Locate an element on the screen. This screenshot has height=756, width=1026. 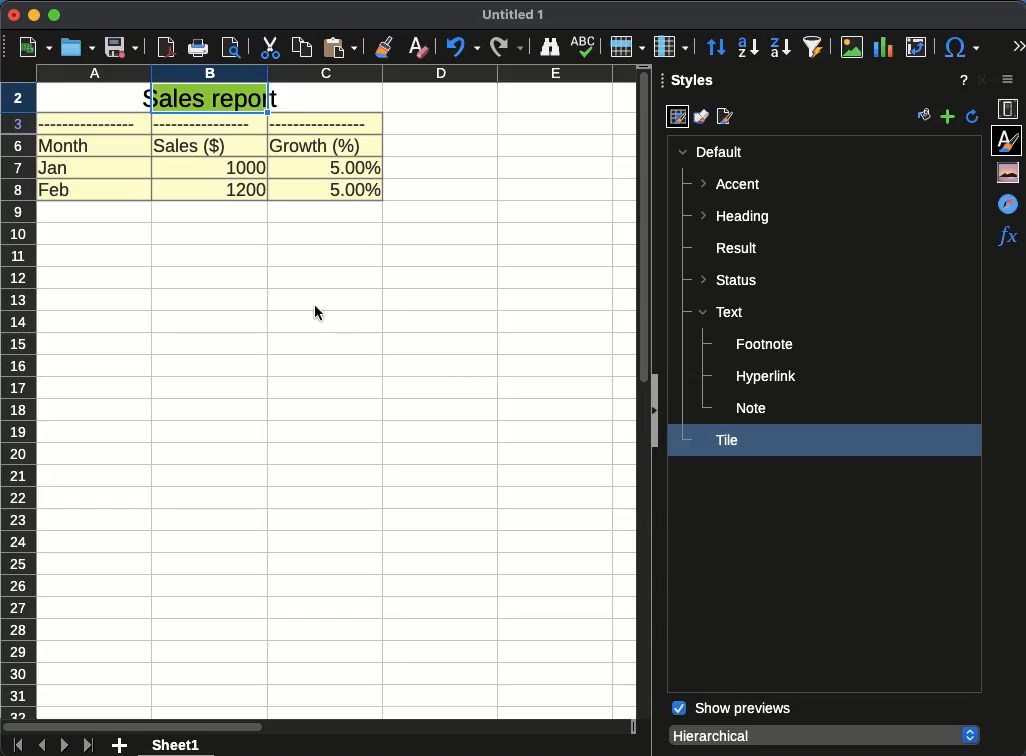
functions is located at coordinates (1007, 235).